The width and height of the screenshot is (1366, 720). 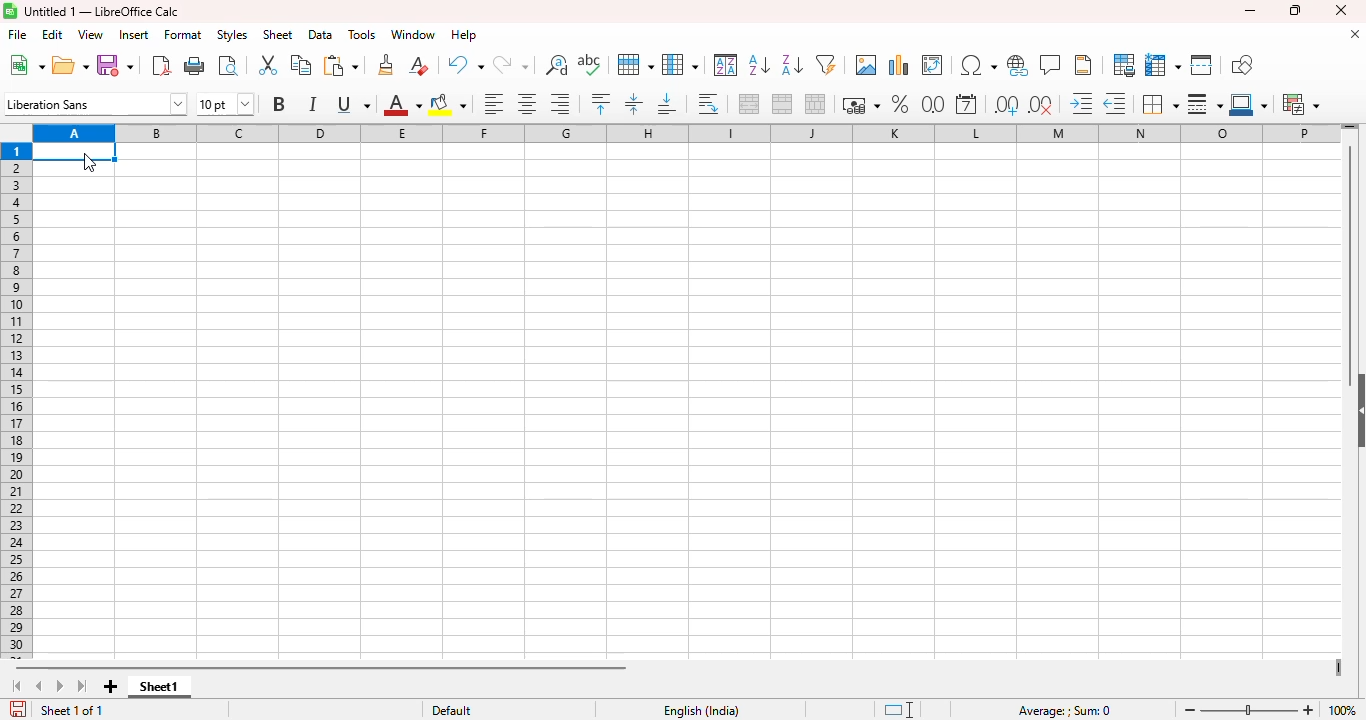 What do you see at coordinates (102, 11) in the screenshot?
I see `title` at bounding box center [102, 11].